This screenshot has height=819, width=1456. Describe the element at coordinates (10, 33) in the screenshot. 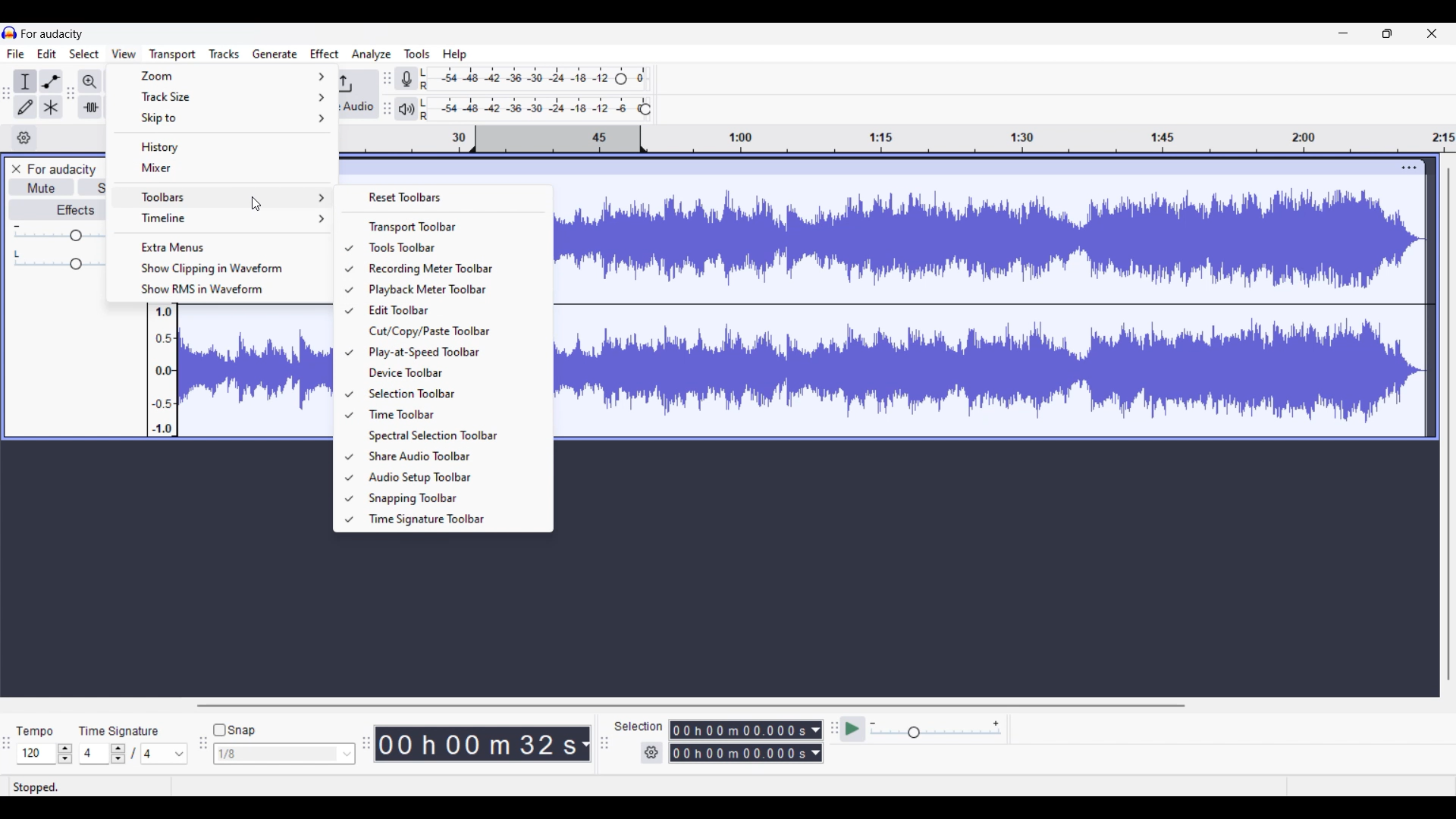

I see `Software logo` at that location.